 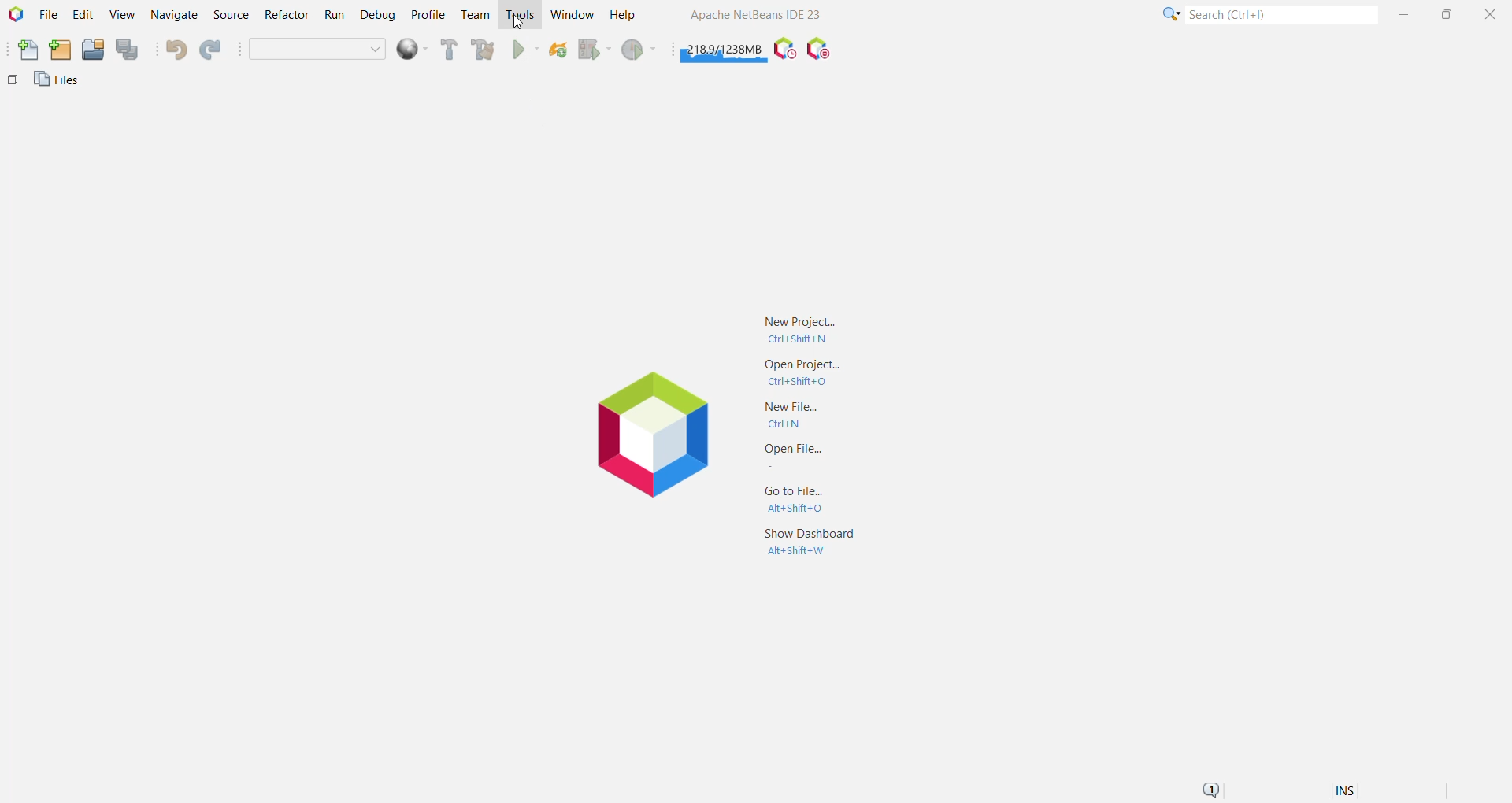 What do you see at coordinates (24, 51) in the screenshot?
I see `New File` at bounding box center [24, 51].